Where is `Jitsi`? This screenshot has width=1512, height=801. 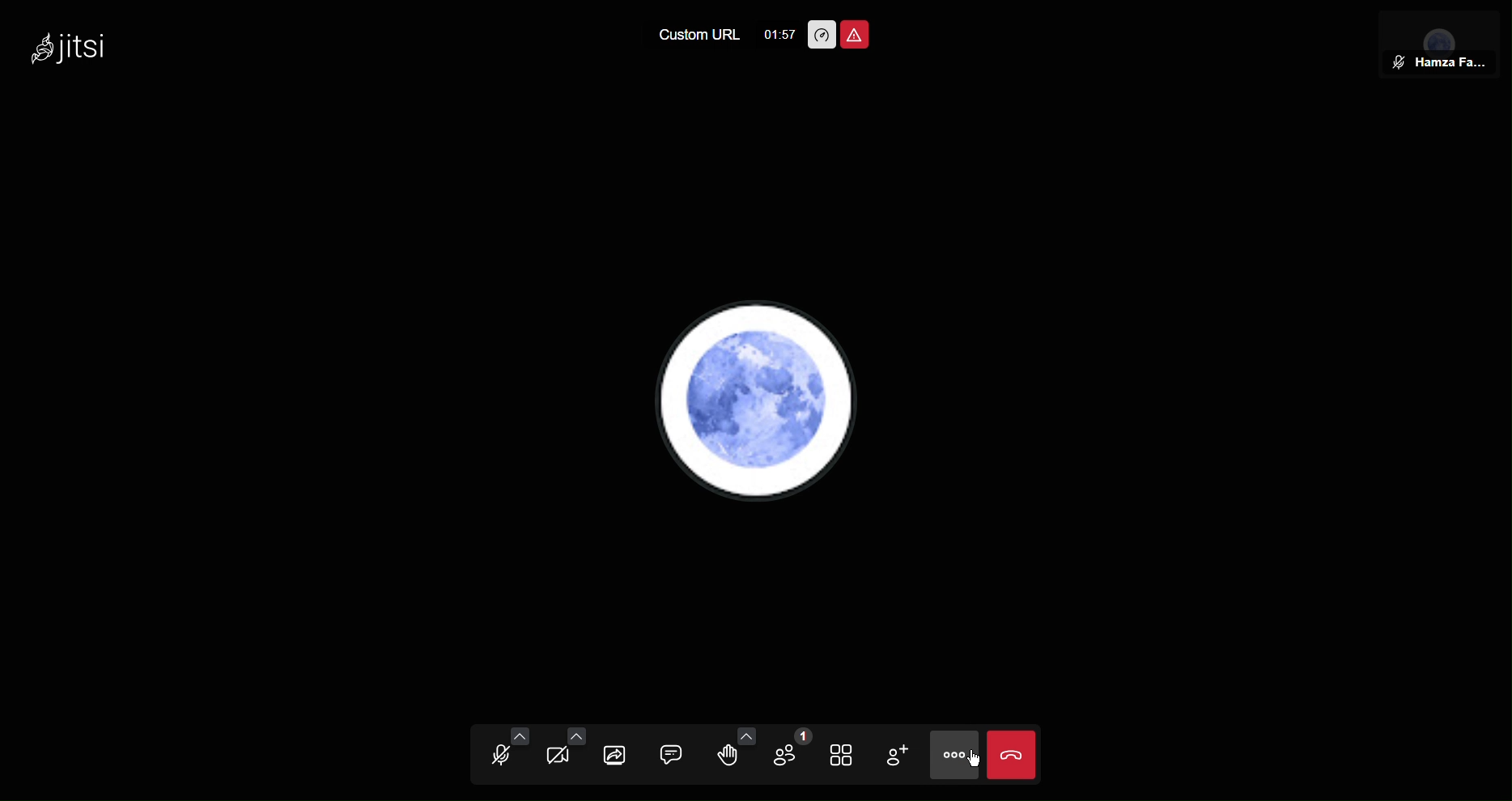 Jitsi is located at coordinates (76, 48).